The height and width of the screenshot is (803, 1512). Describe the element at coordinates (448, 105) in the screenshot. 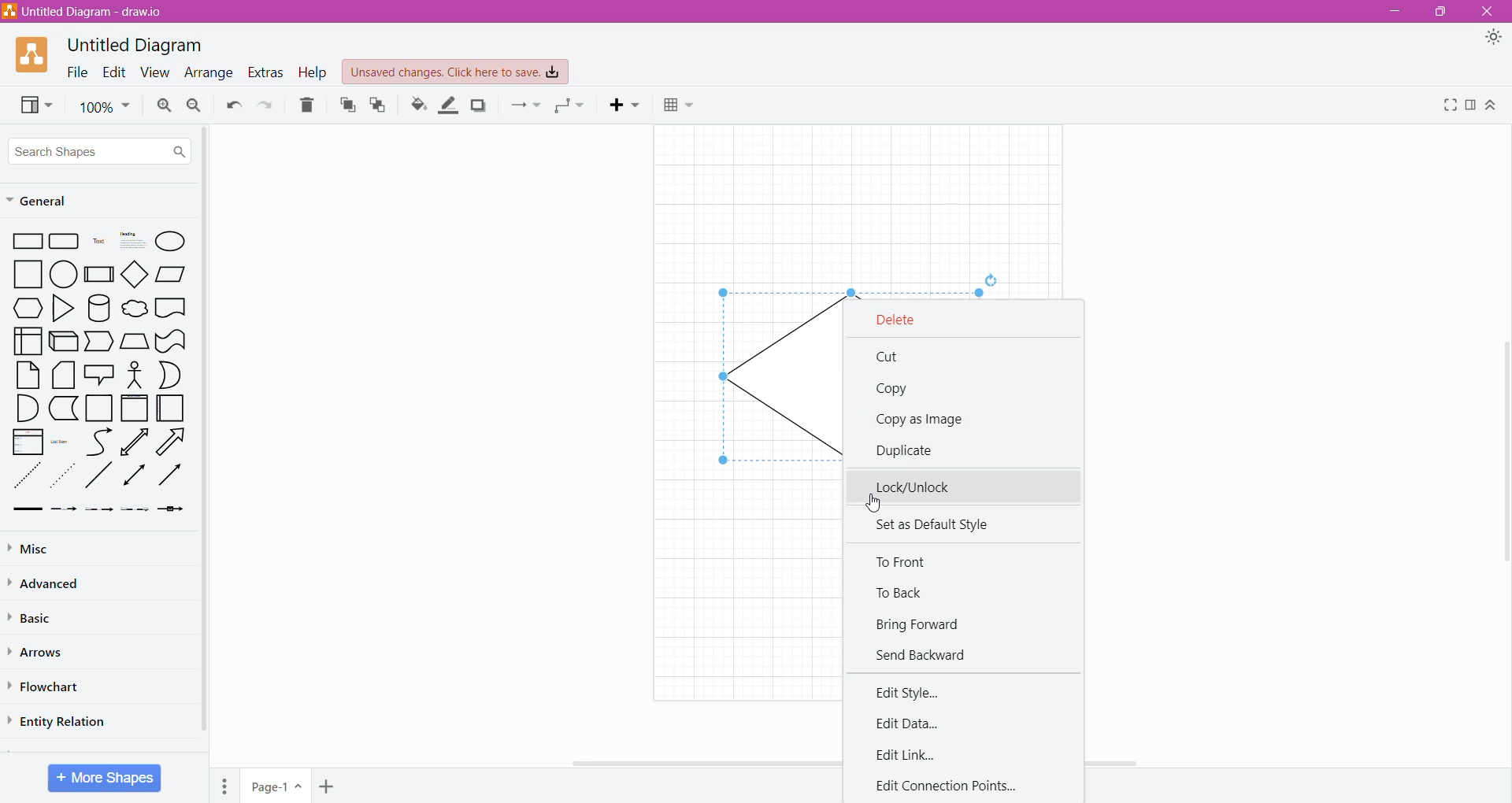

I see `Line Color` at that location.